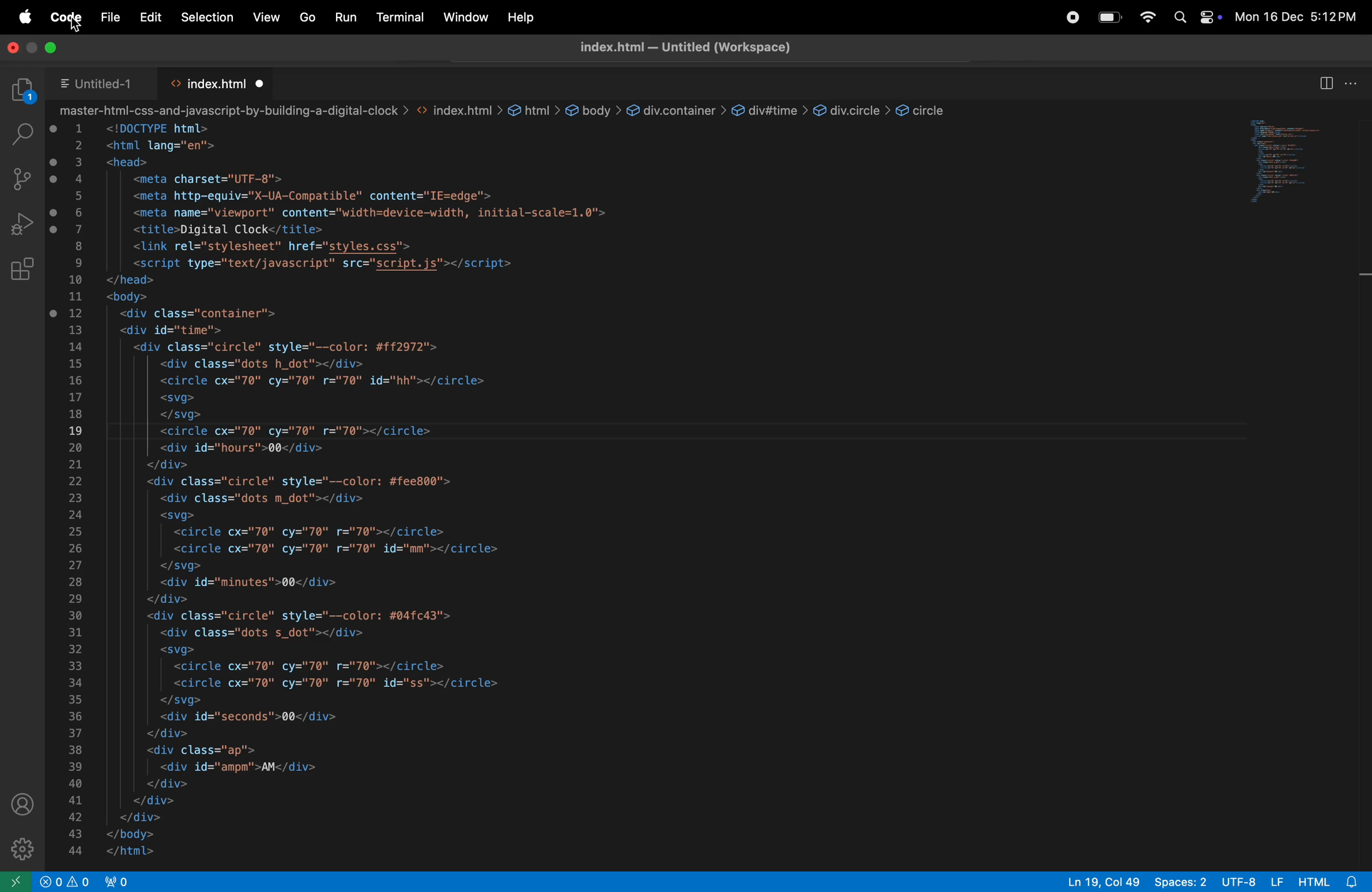 This screenshot has height=892, width=1372. Describe the element at coordinates (18, 89) in the screenshot. I see `explorer` at that location.